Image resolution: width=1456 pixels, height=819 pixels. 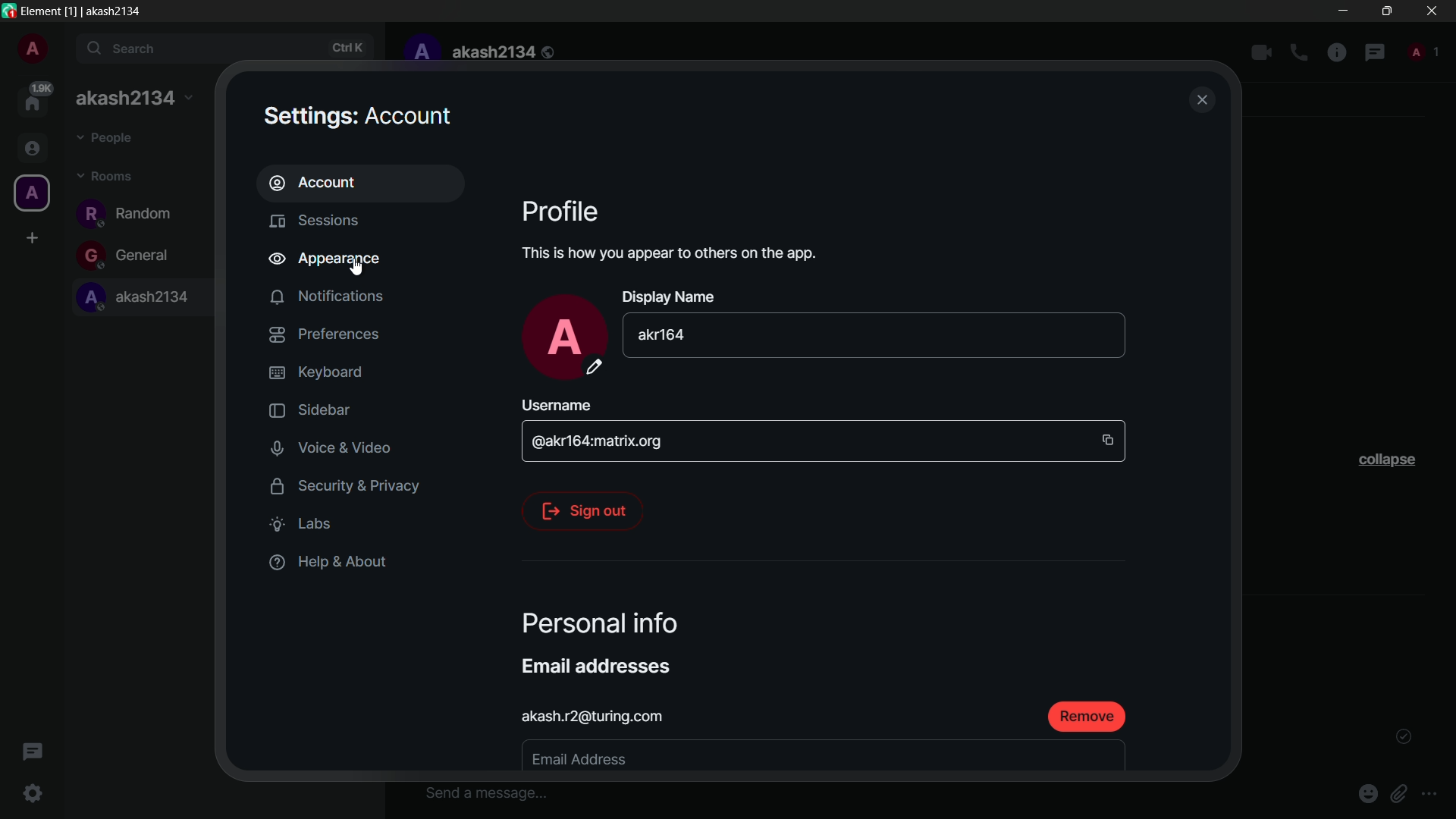 I want to click on people, so click(x=108, y=140).